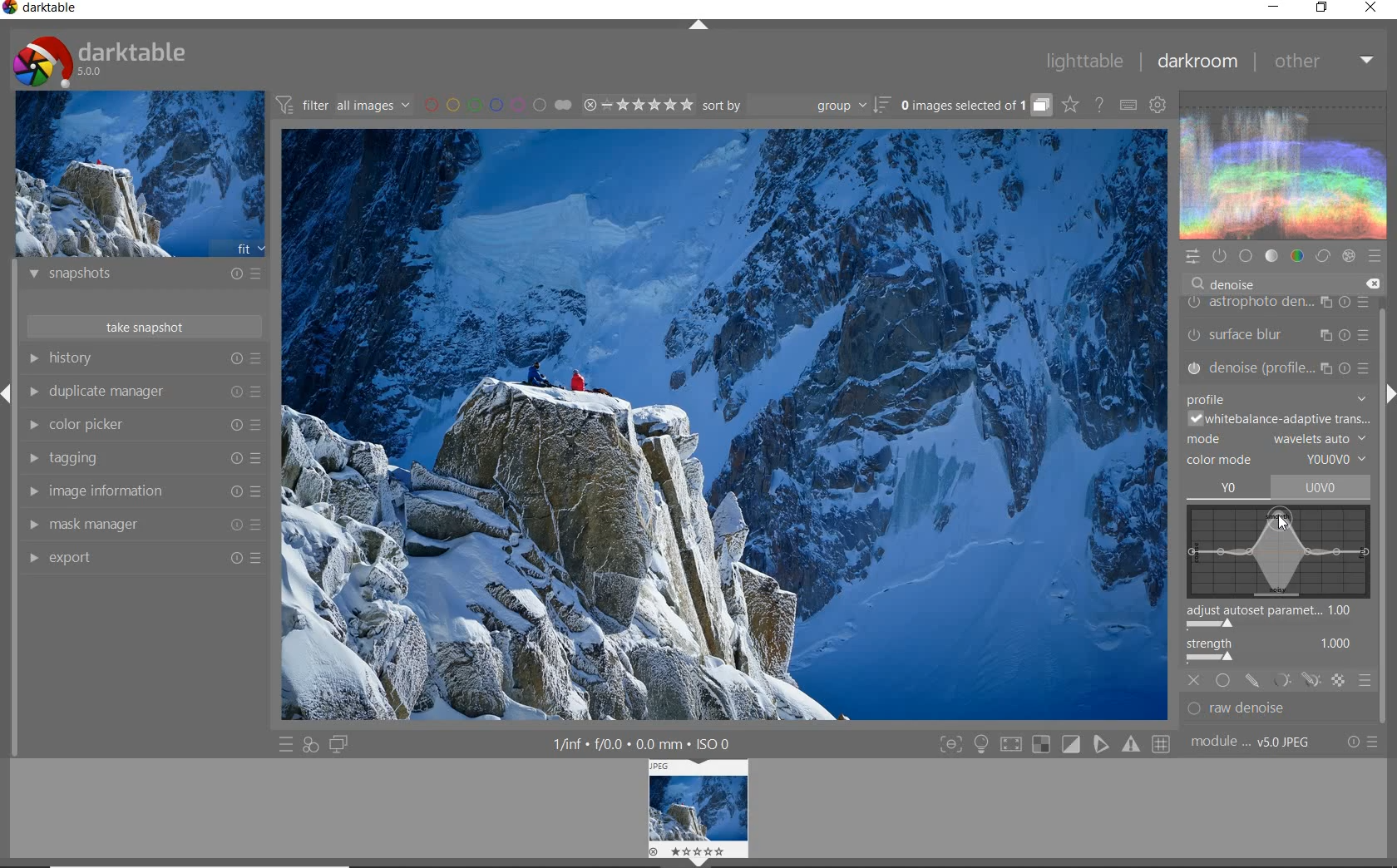 This screenshot has height=868, width=1397. I want to click on surface blur, so click(1281, 336).